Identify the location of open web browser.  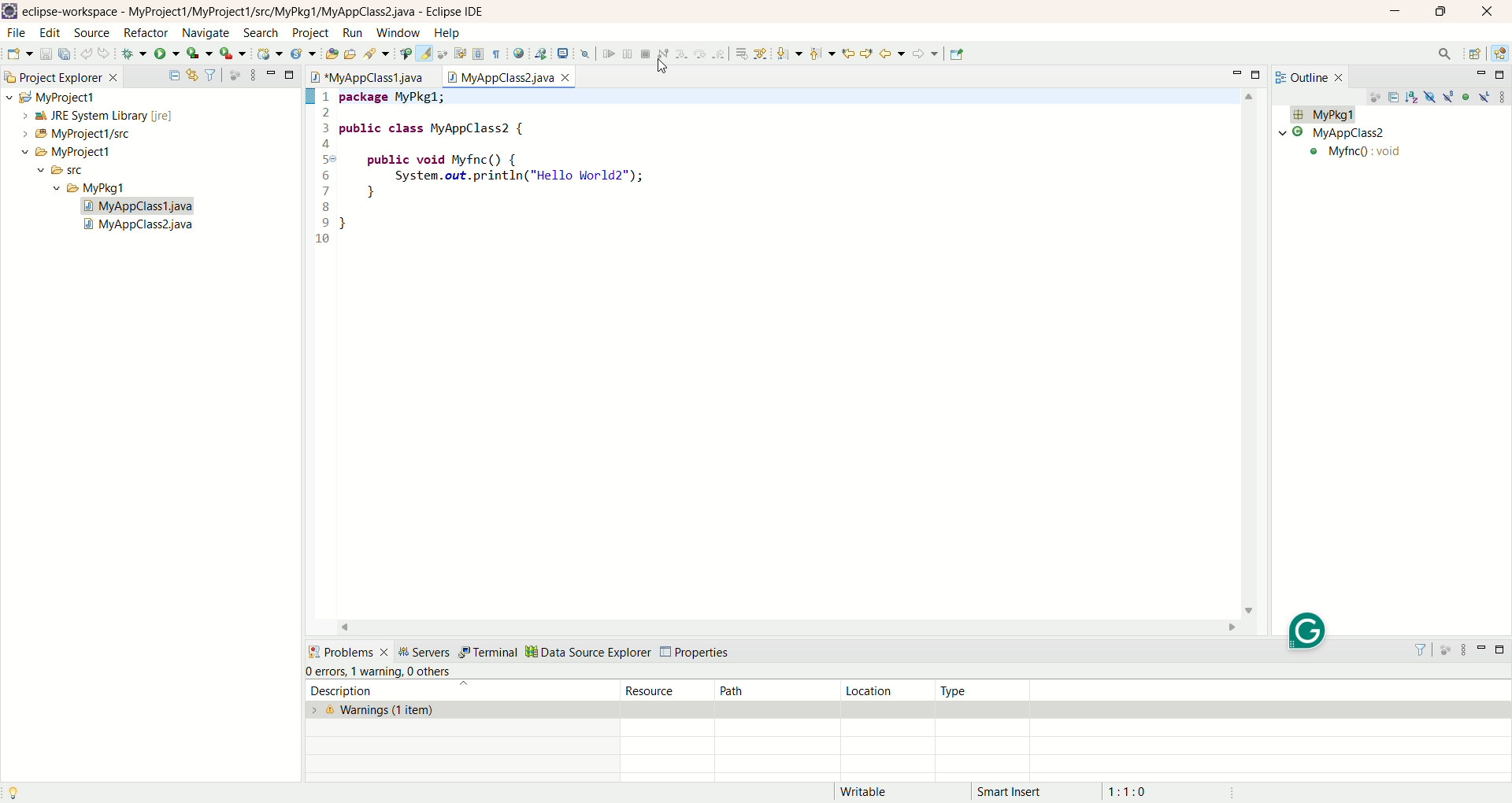
(518, 54).